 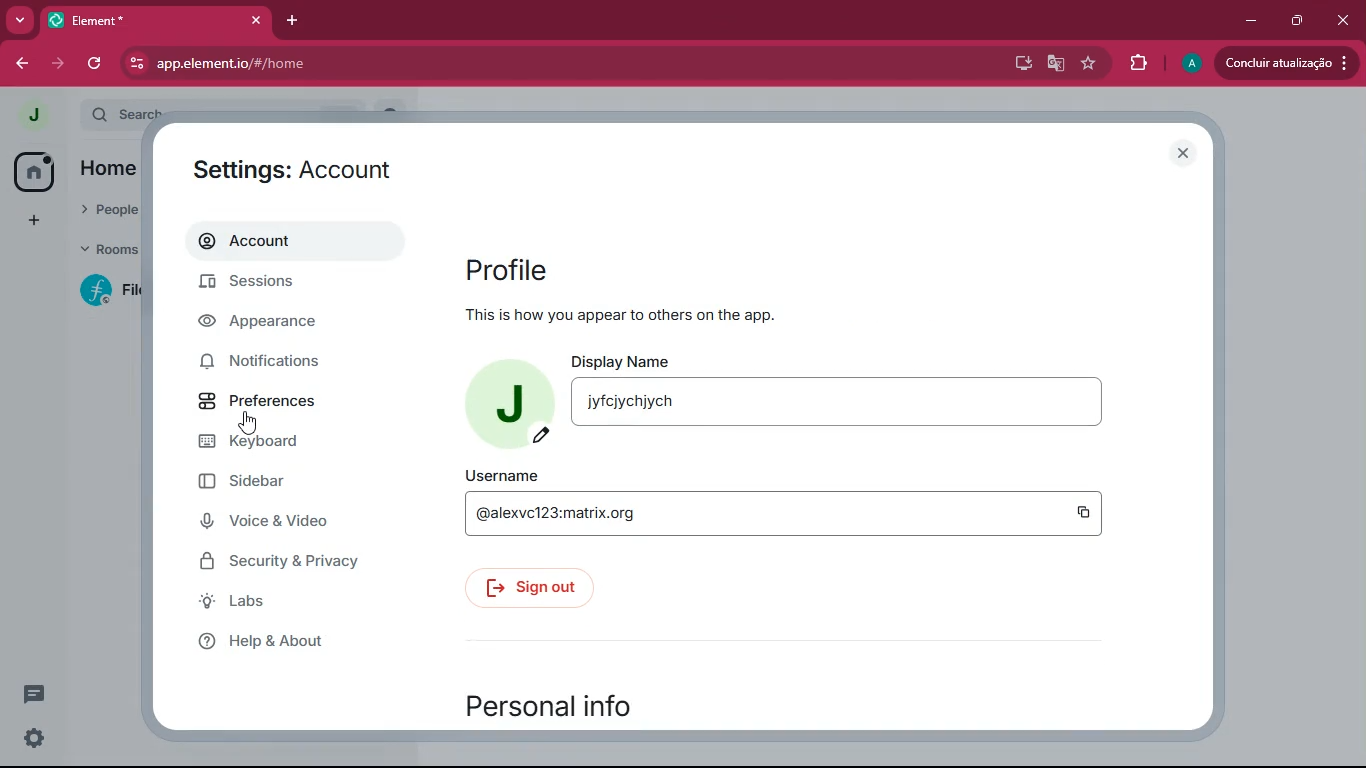 What do you see at coordinates (285, 522) in the screenshot?
I see `voice & video` at bounding box center [285, 522].